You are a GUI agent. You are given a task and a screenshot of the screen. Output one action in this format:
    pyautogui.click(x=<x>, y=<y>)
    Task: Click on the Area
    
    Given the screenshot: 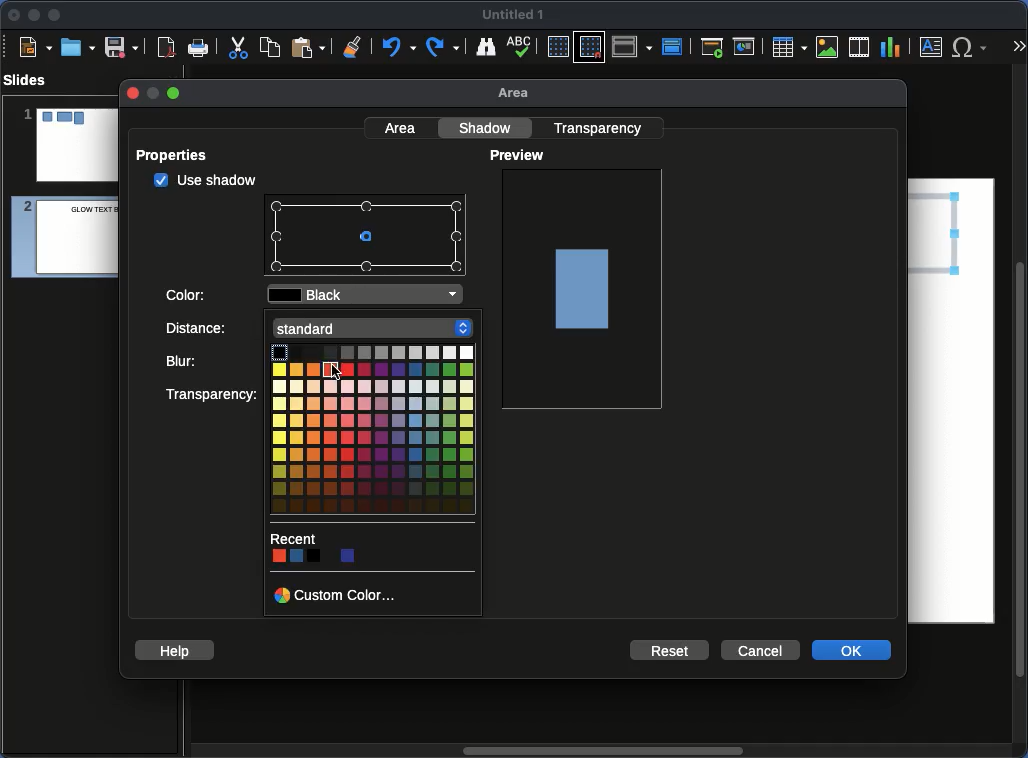 What is the action you would take?
    pyautogui.click(x=519, y=94)
    